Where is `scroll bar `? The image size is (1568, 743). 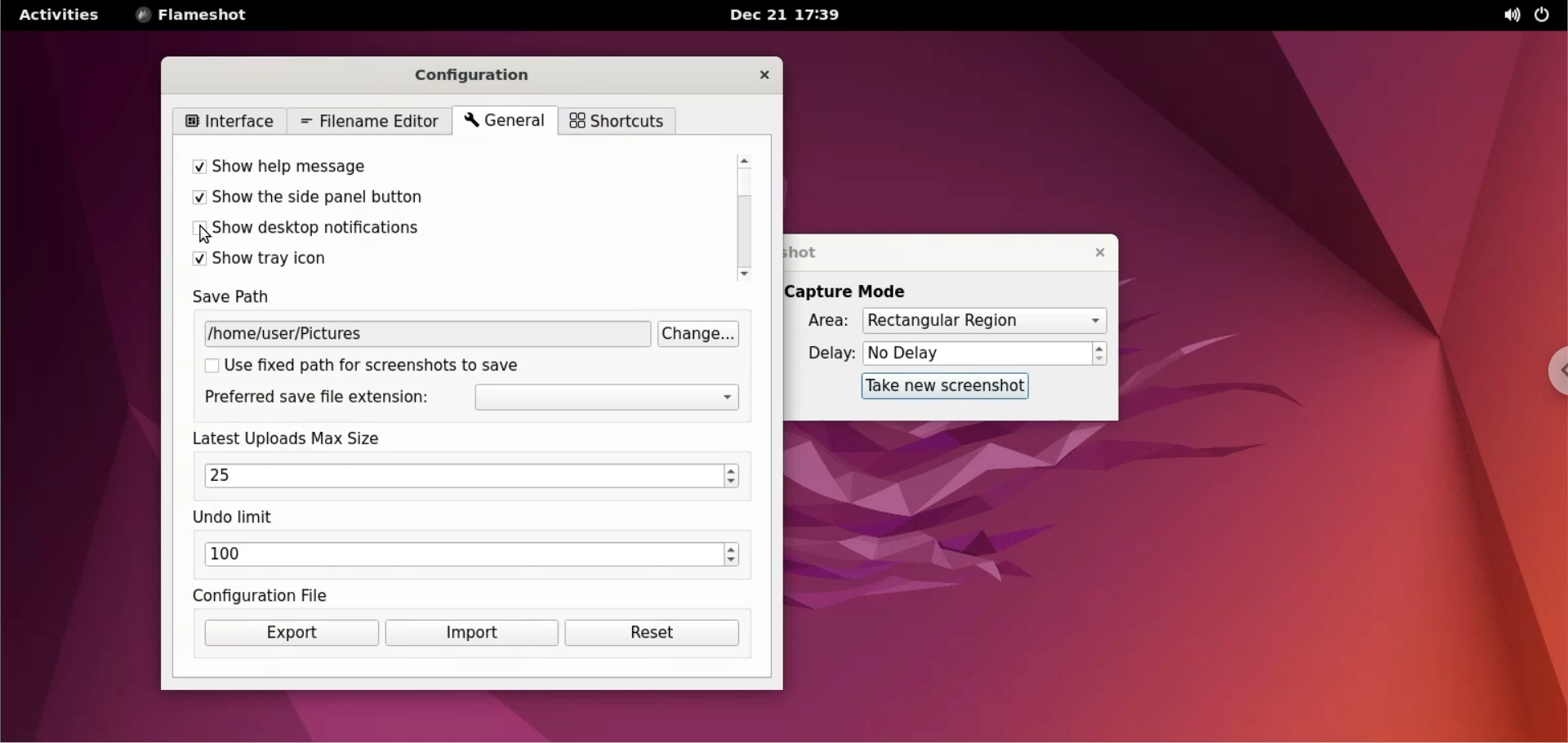
scroll bar  is located at coordinates (747, 218).